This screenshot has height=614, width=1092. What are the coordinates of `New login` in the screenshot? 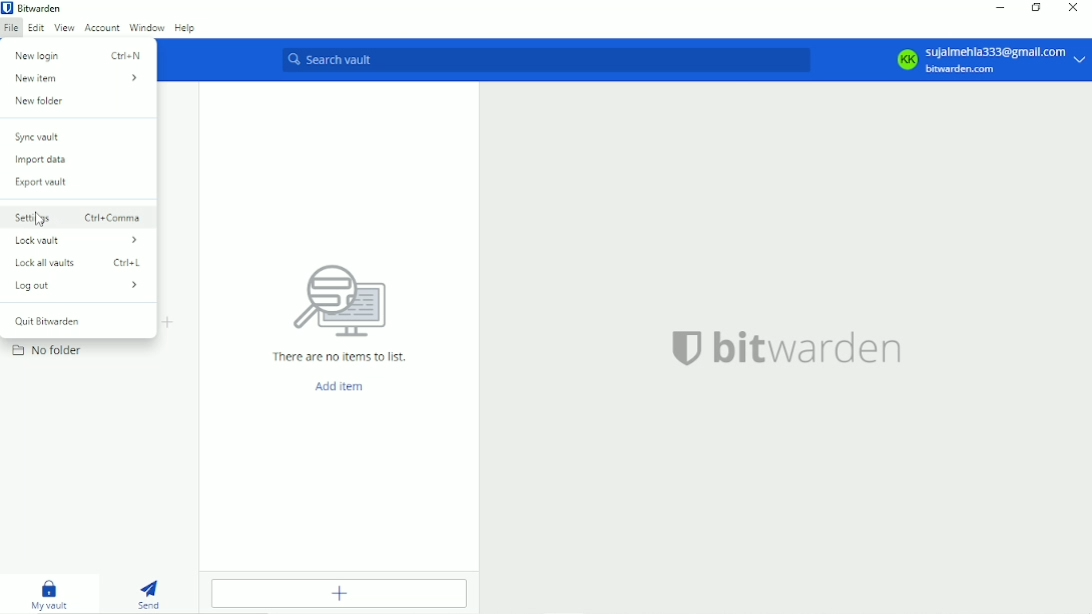 It's located at (80, 54).